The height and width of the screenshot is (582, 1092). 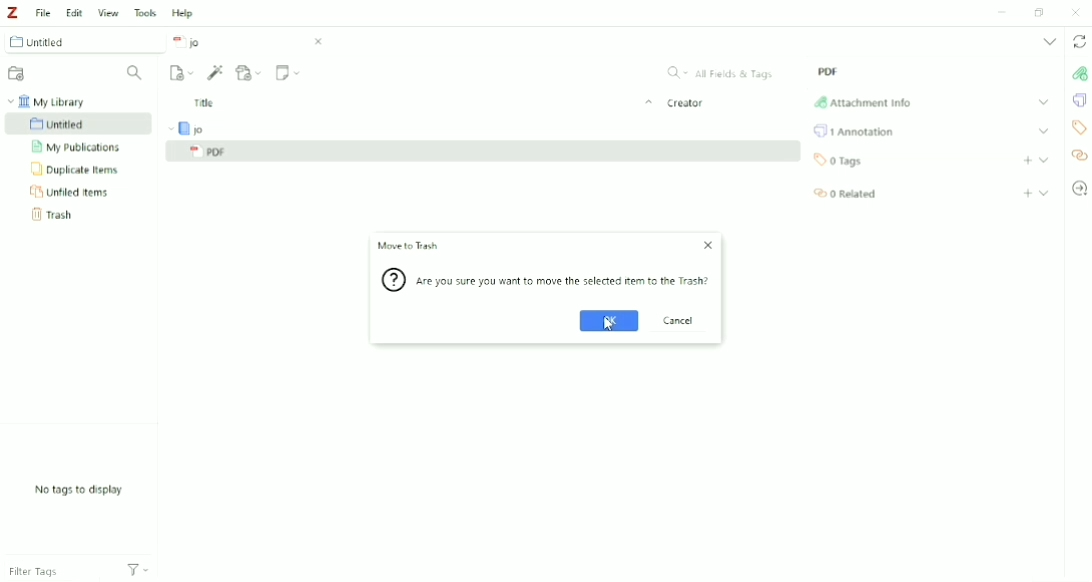 What do you see at coordinates (83, 42) in the screenshot?
I see `Untitled` at bounding box center [83, 42].